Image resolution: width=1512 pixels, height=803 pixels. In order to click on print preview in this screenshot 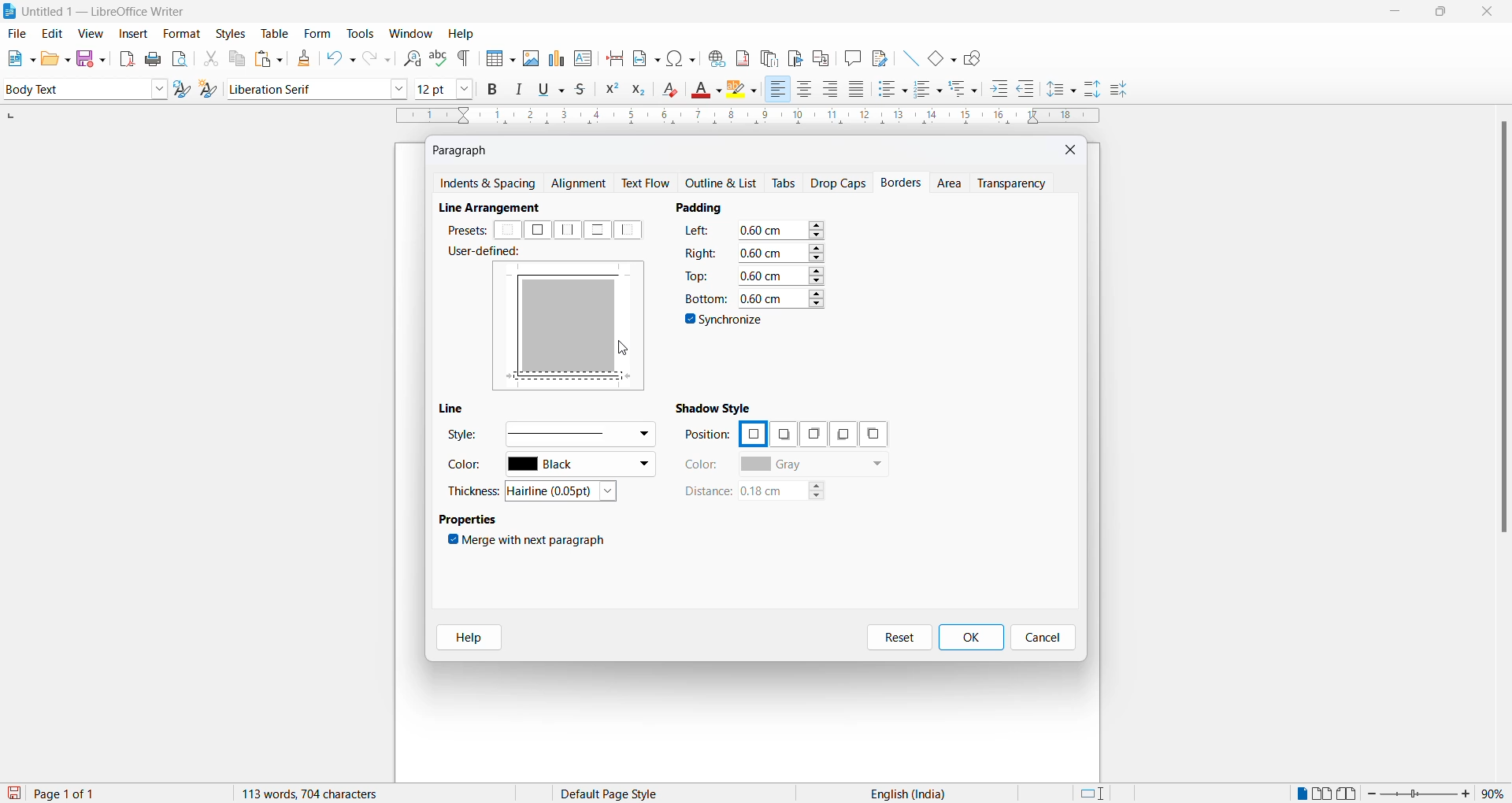, I will do `click(180, 58)`.